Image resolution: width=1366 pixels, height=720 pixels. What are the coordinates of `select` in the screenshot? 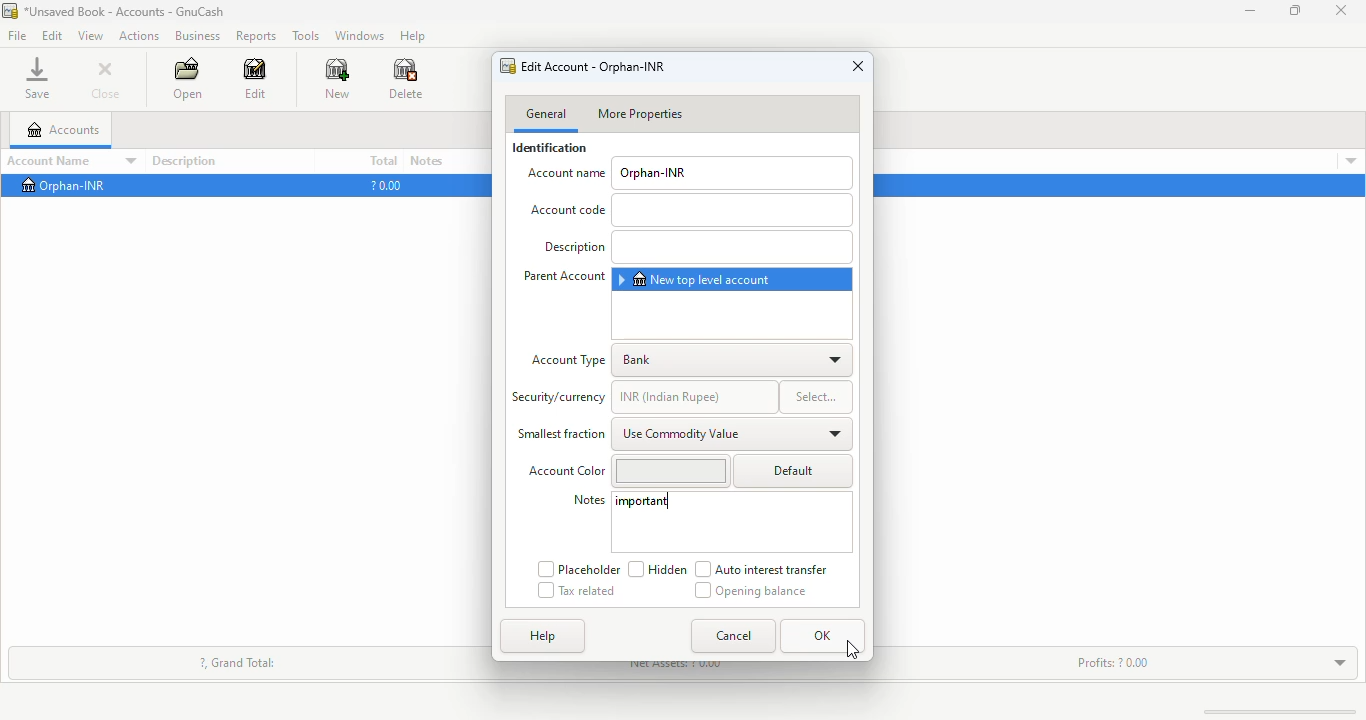 It's located at (815, 395).